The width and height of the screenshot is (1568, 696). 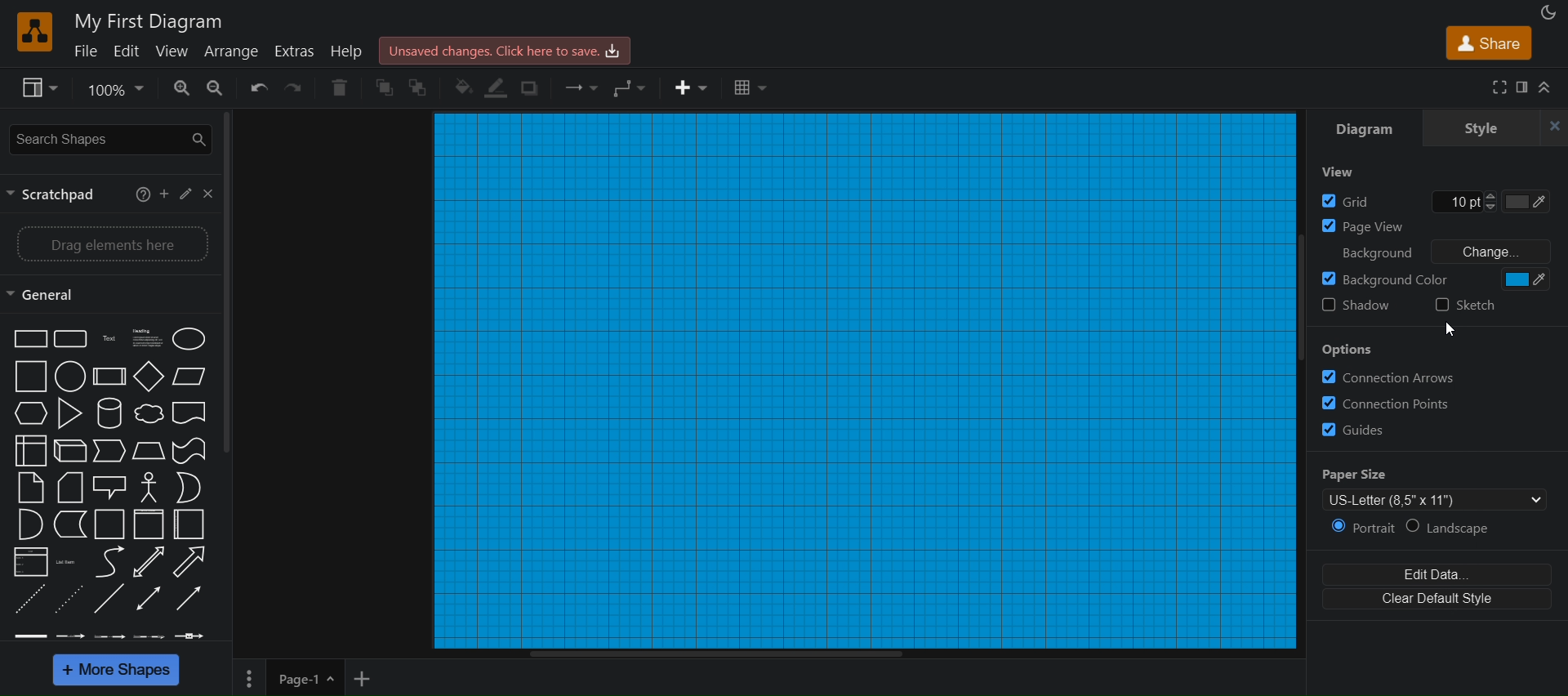 I want to click on seearch shapes, so click(x=107, y=138).